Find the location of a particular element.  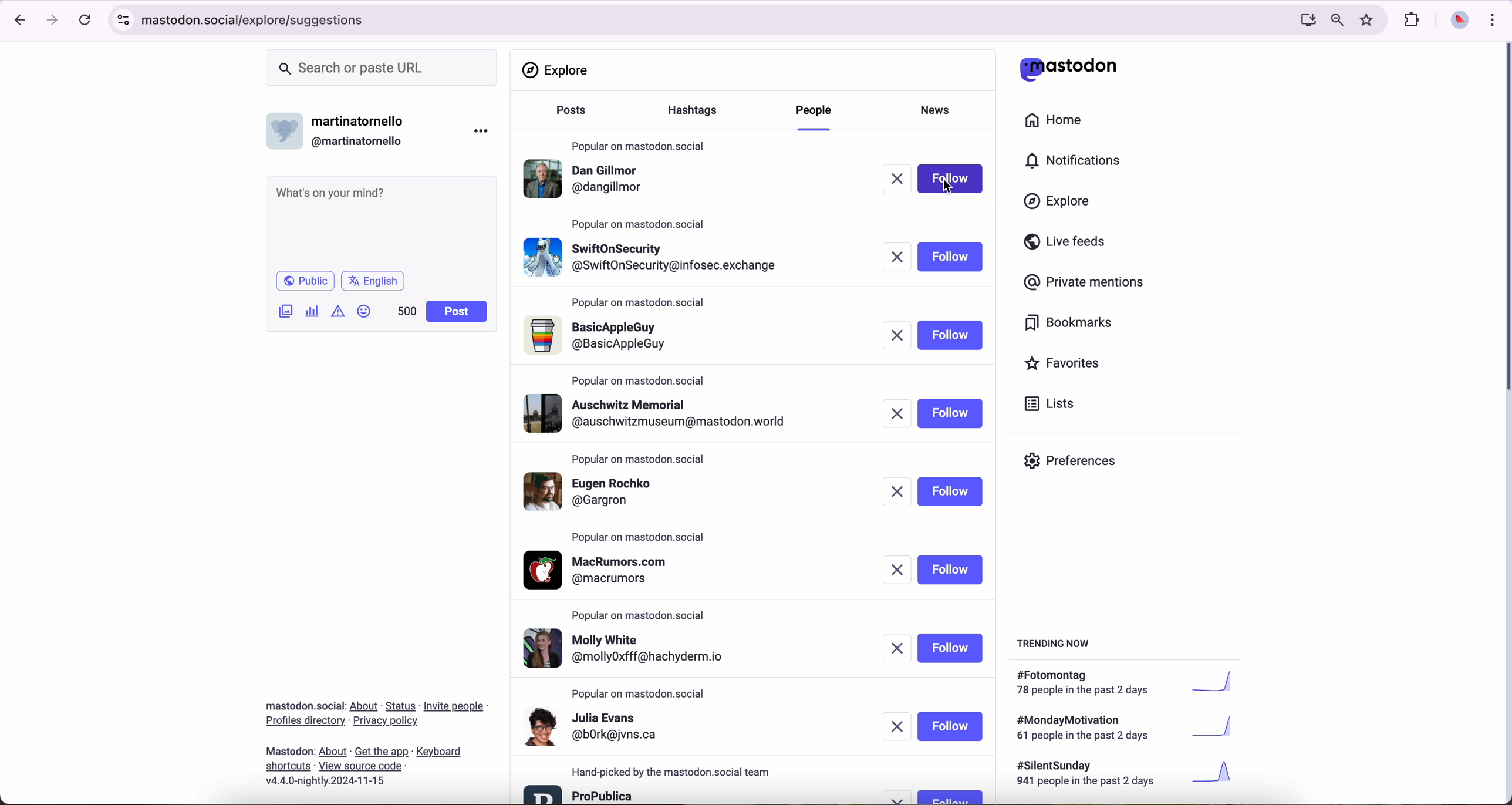

private mentions is located at coordinates (1085, 283).